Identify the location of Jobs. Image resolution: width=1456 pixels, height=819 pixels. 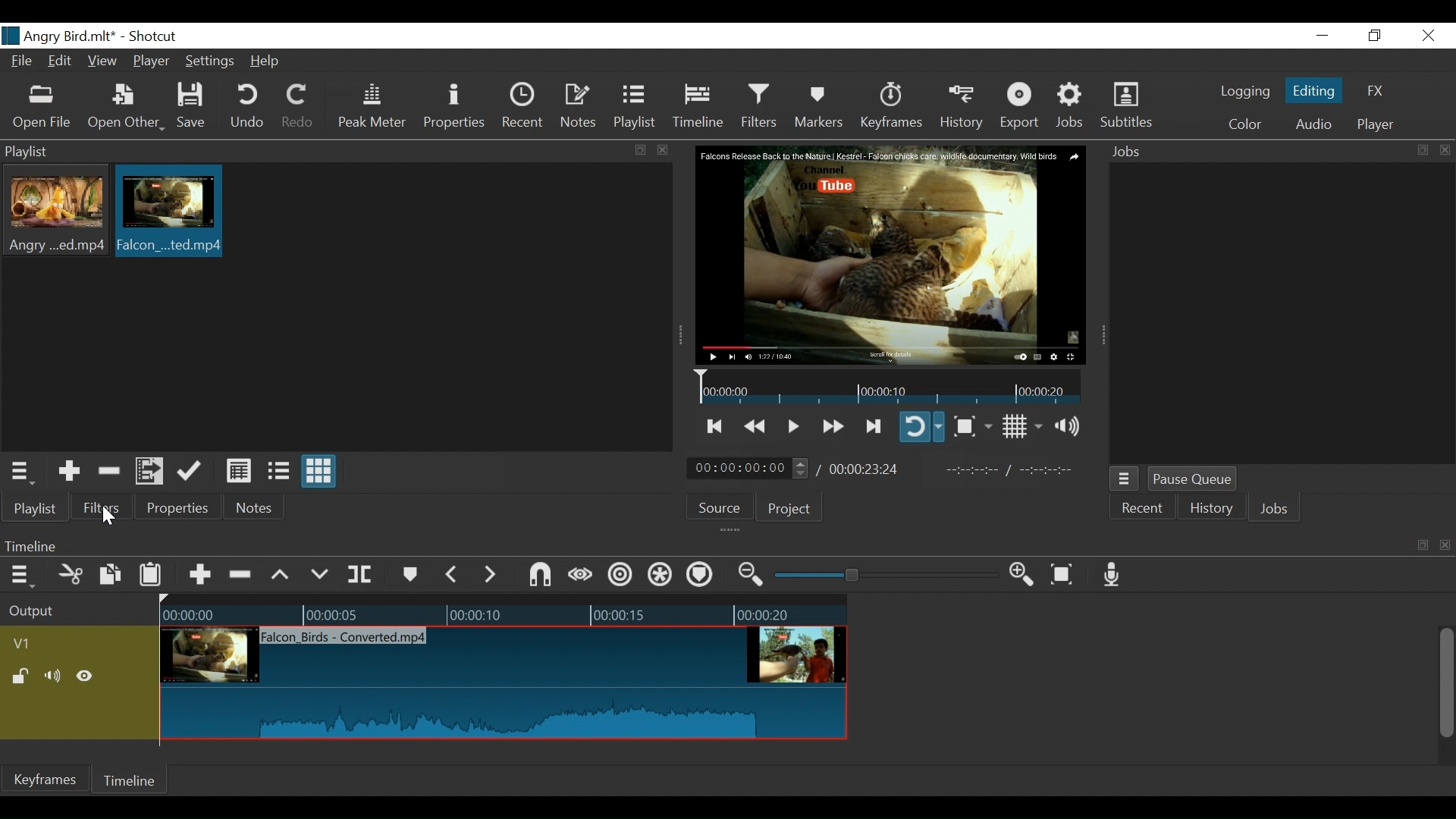
(1131, 152).